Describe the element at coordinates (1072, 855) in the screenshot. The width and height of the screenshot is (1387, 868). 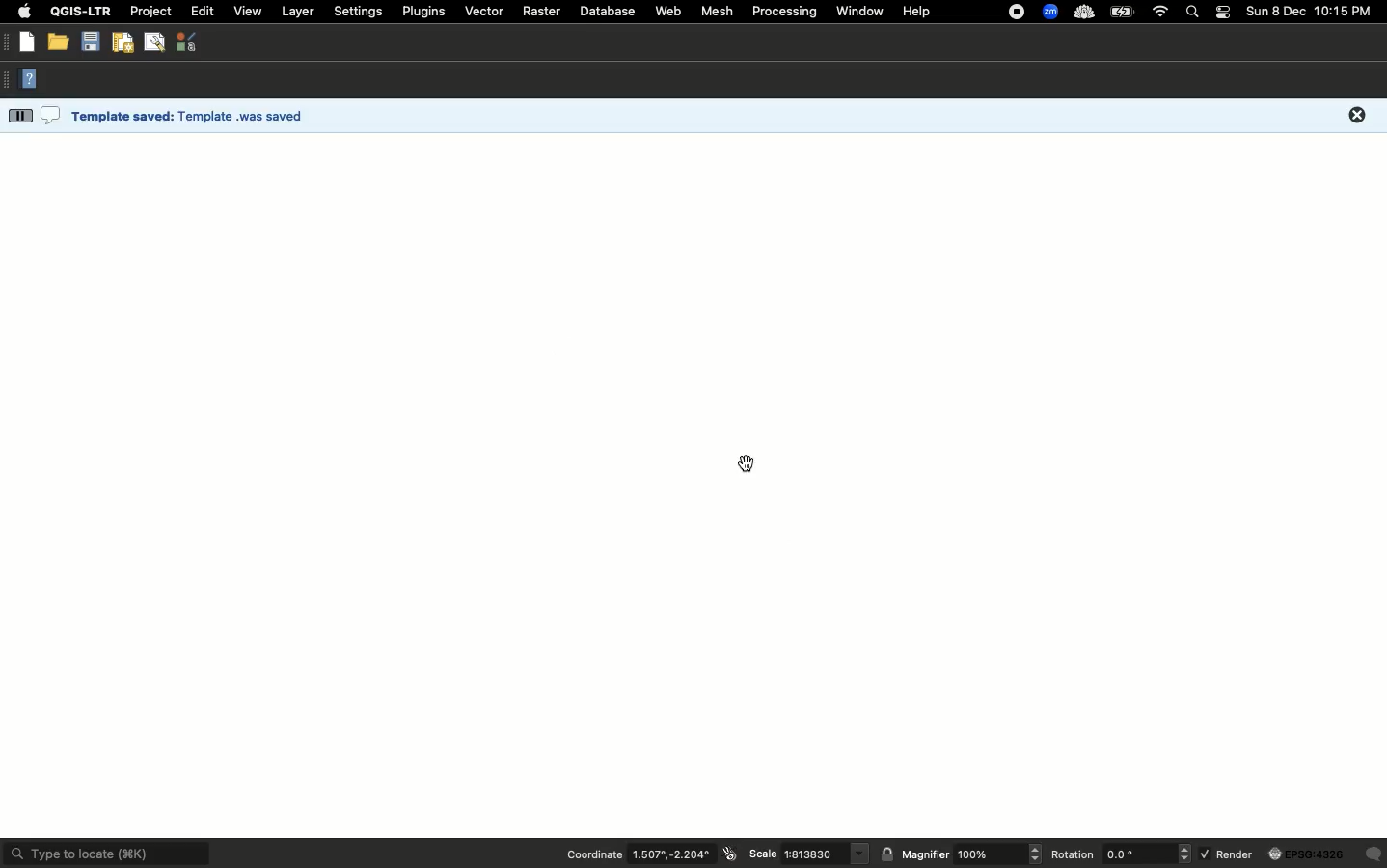
I see `Rotation` at that location.